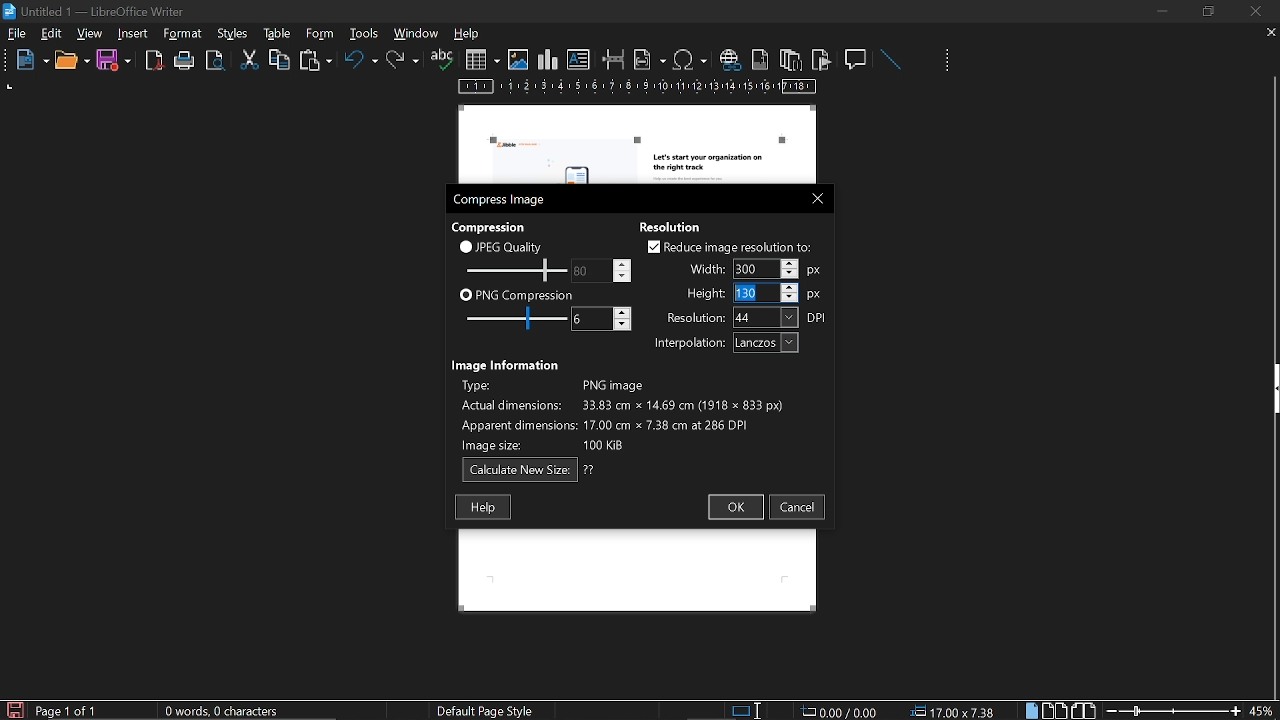 This screenshot has width=1280, height=720. Describe the element at coordinates (231, 32) in the screenshot. I see `format` at that location.